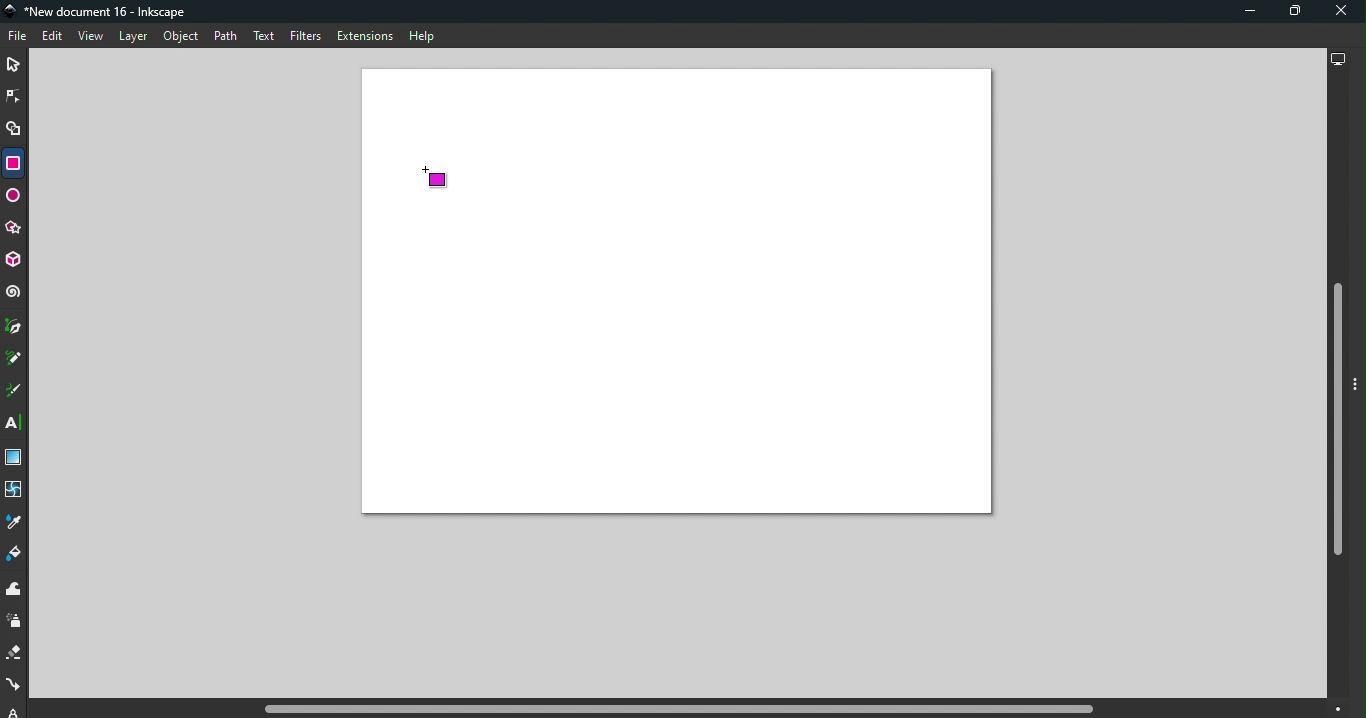 The image size is (1366, 718). Describe the element at coordinates (422, 36) in the screenshot. I see `Help` at that location.